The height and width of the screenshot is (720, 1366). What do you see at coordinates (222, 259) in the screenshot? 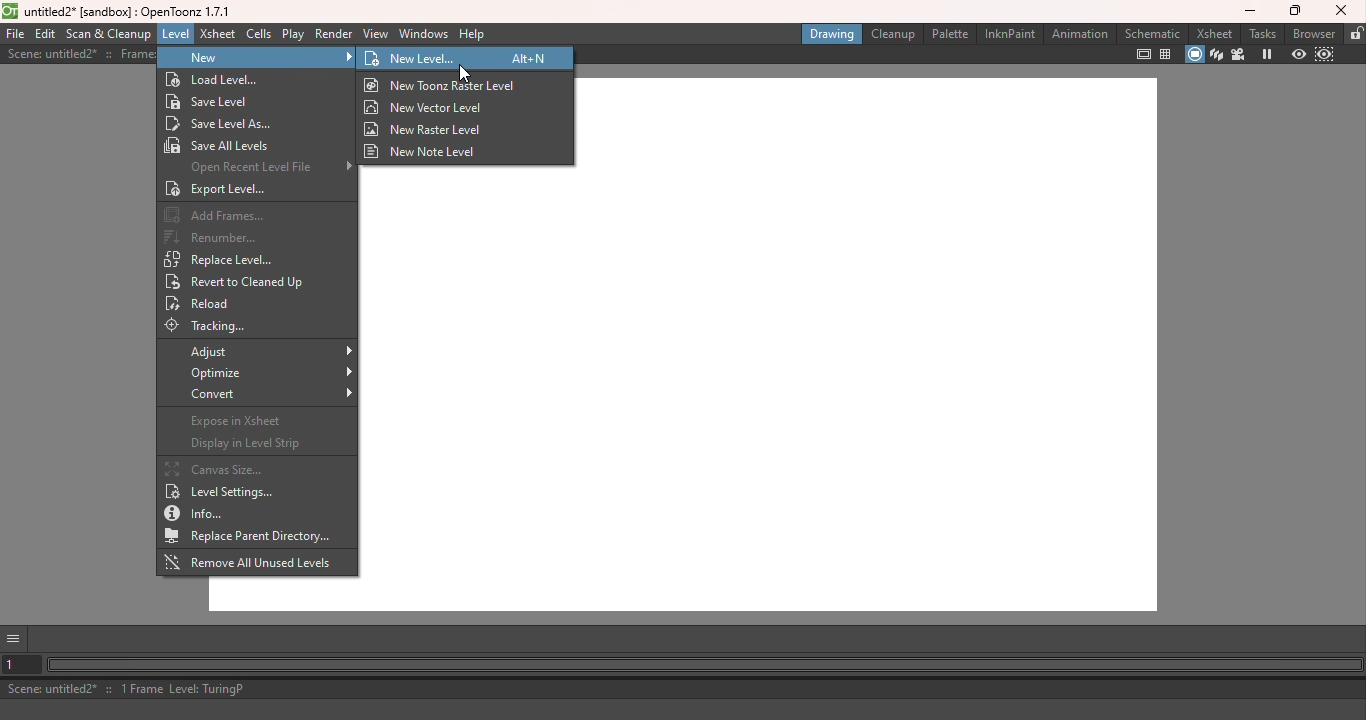
I see `Replace level` at bounding box center [222, 259].